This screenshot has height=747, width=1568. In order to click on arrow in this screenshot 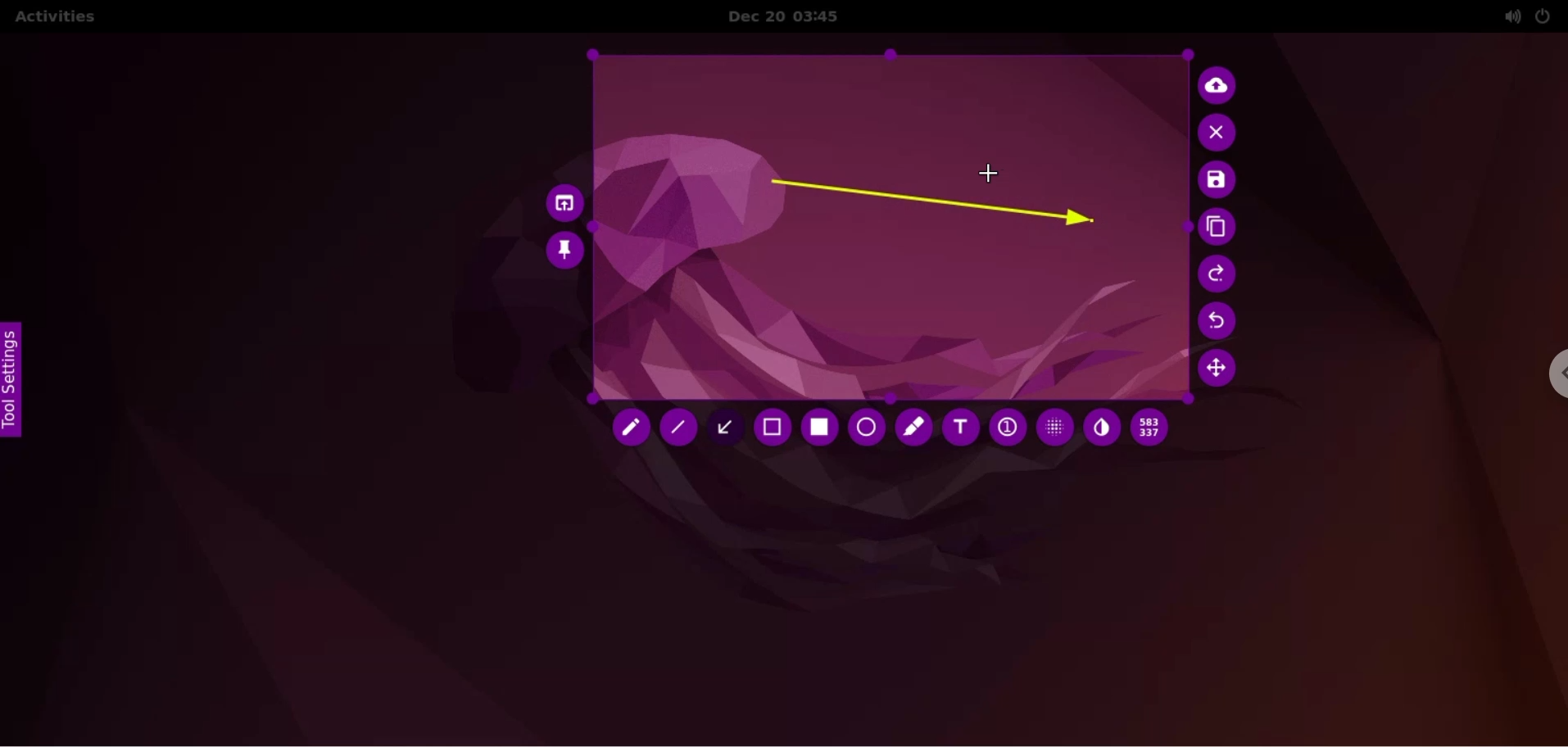, I will do `click(930, 206)`.